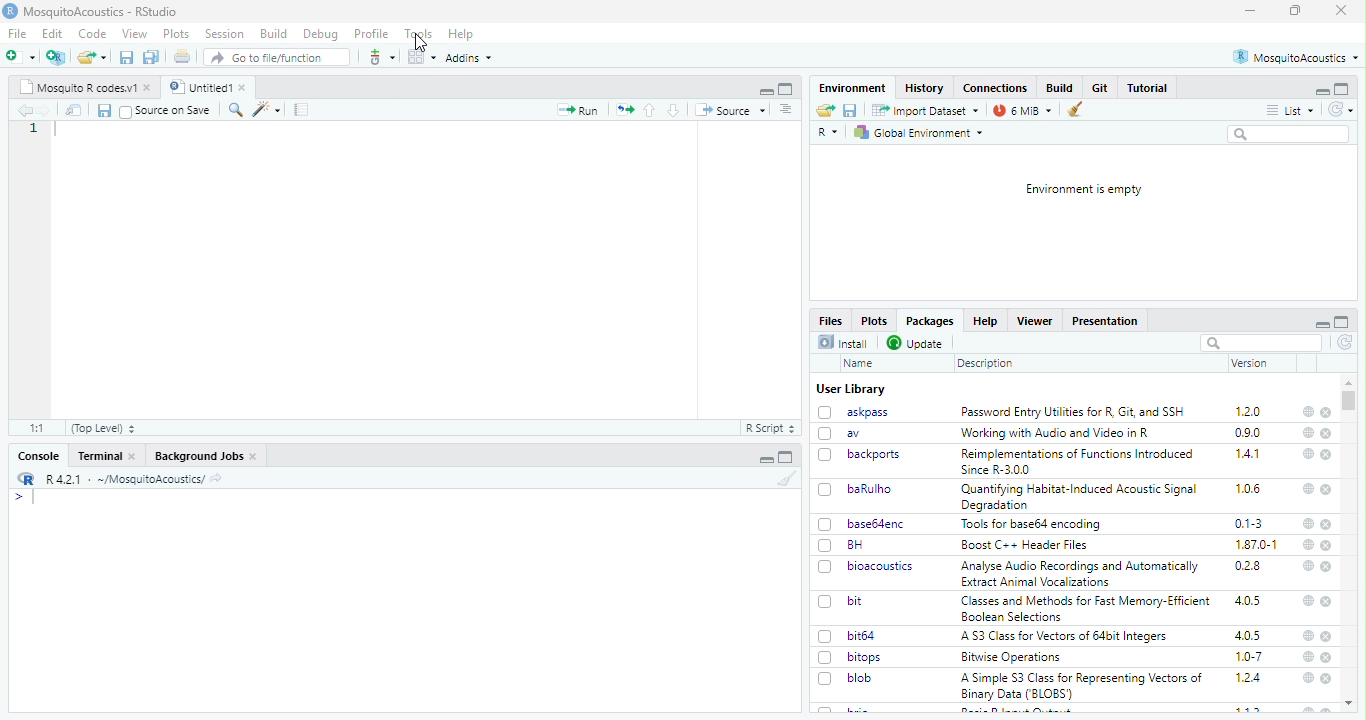  I want to click on ‘Mosquito R codes.vl, so click(77, 87).